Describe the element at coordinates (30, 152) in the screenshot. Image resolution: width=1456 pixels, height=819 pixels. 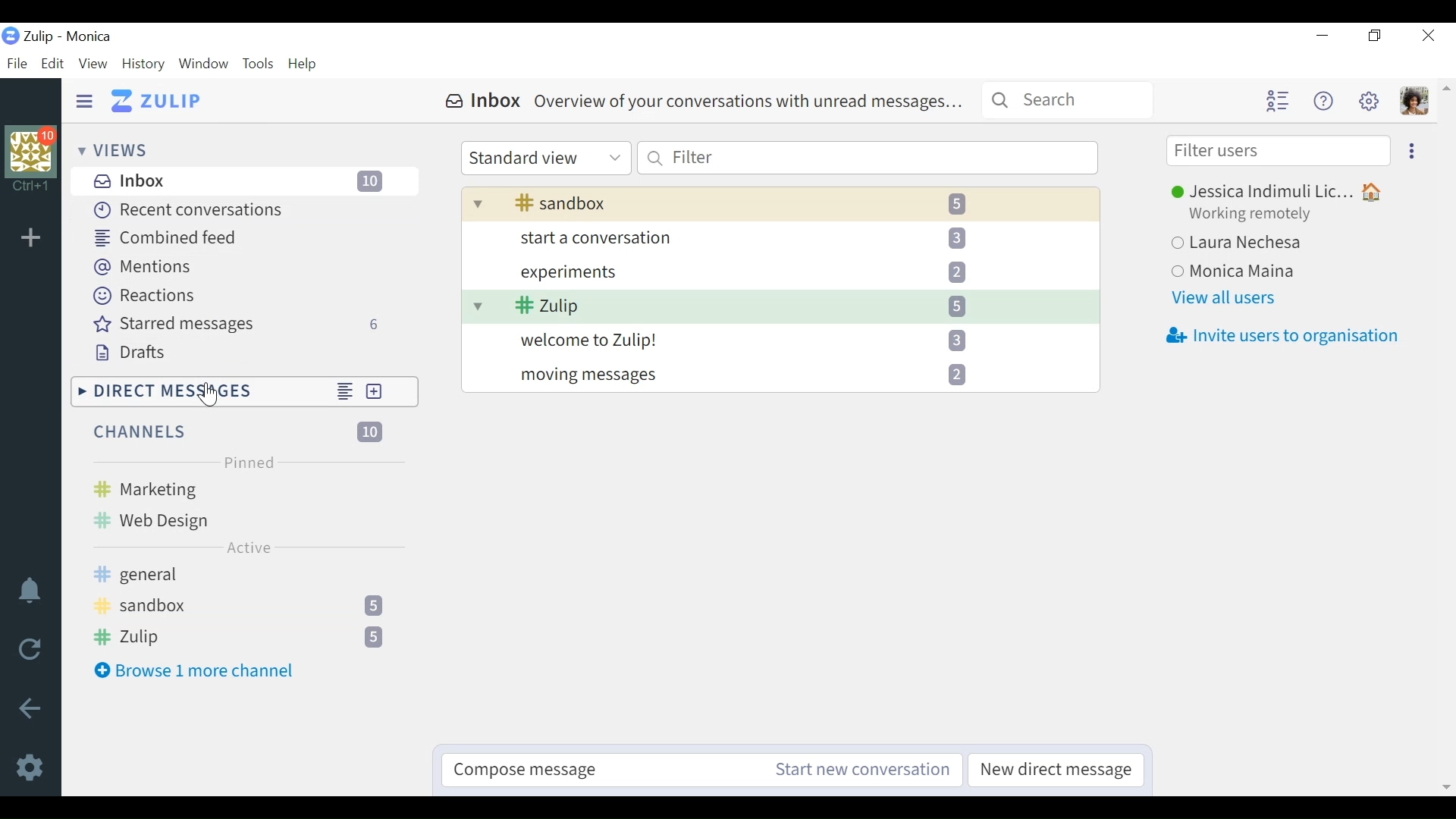
I see `Organisation profile photo` at that location.